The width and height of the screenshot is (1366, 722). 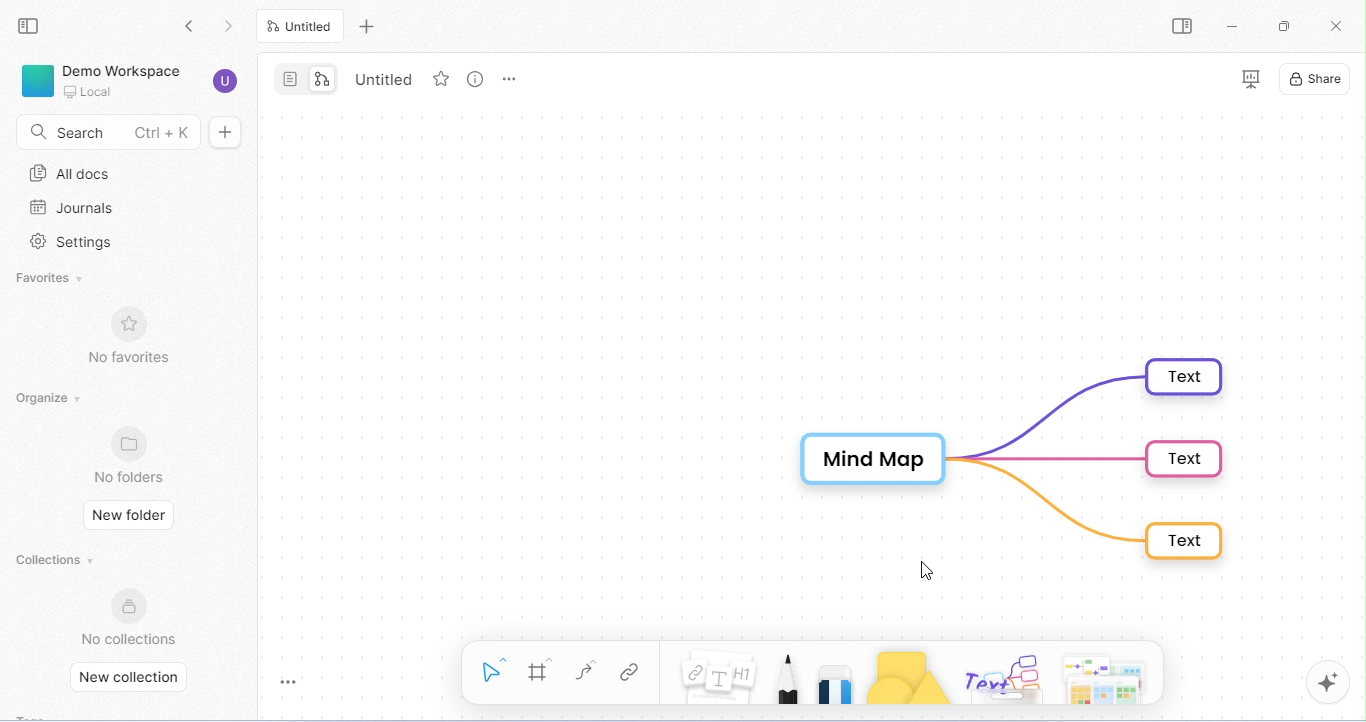 I want to click on open sidebar, so click(x=1187, y=27).